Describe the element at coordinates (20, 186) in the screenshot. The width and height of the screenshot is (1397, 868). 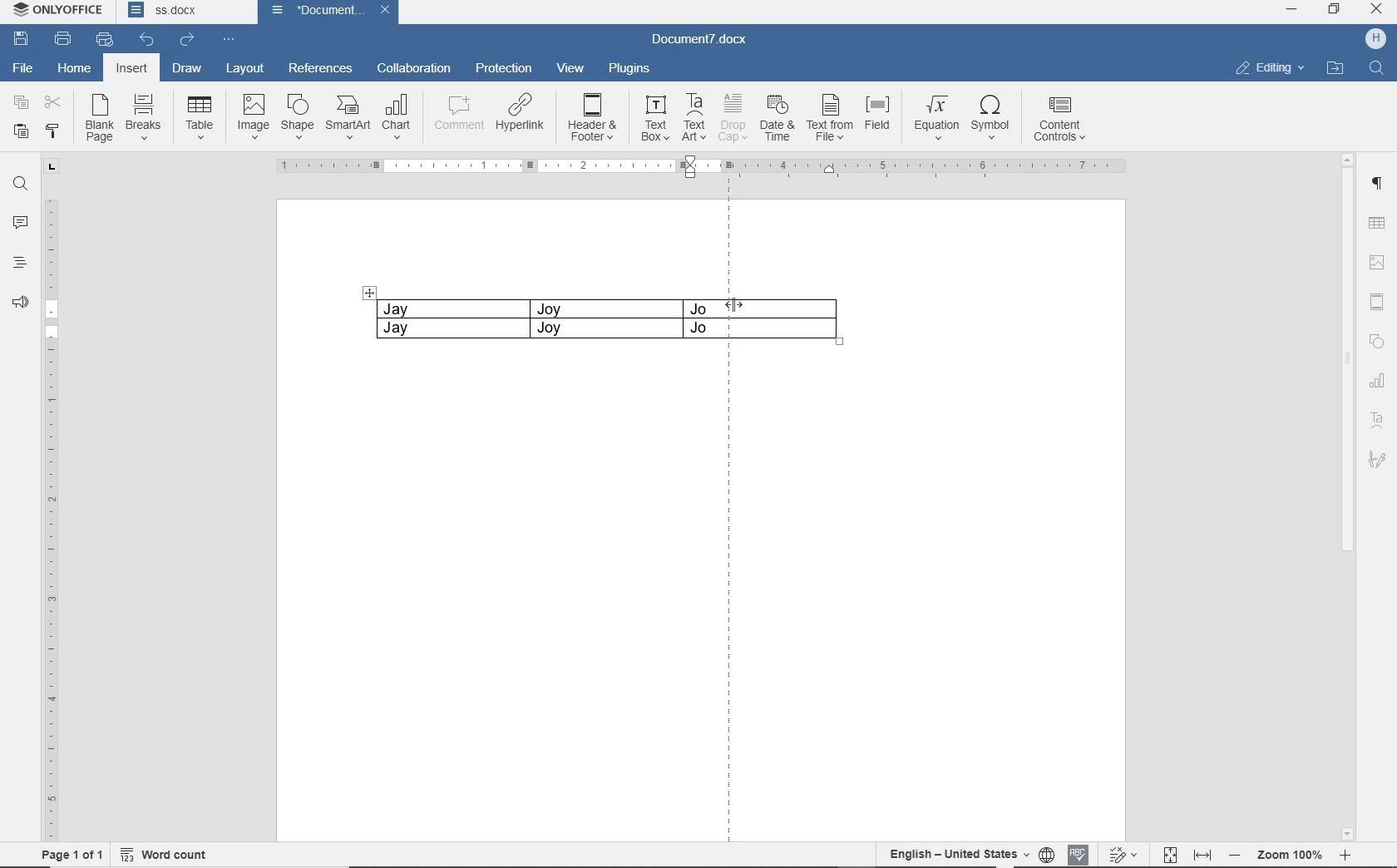
I see `FIND` at that location.